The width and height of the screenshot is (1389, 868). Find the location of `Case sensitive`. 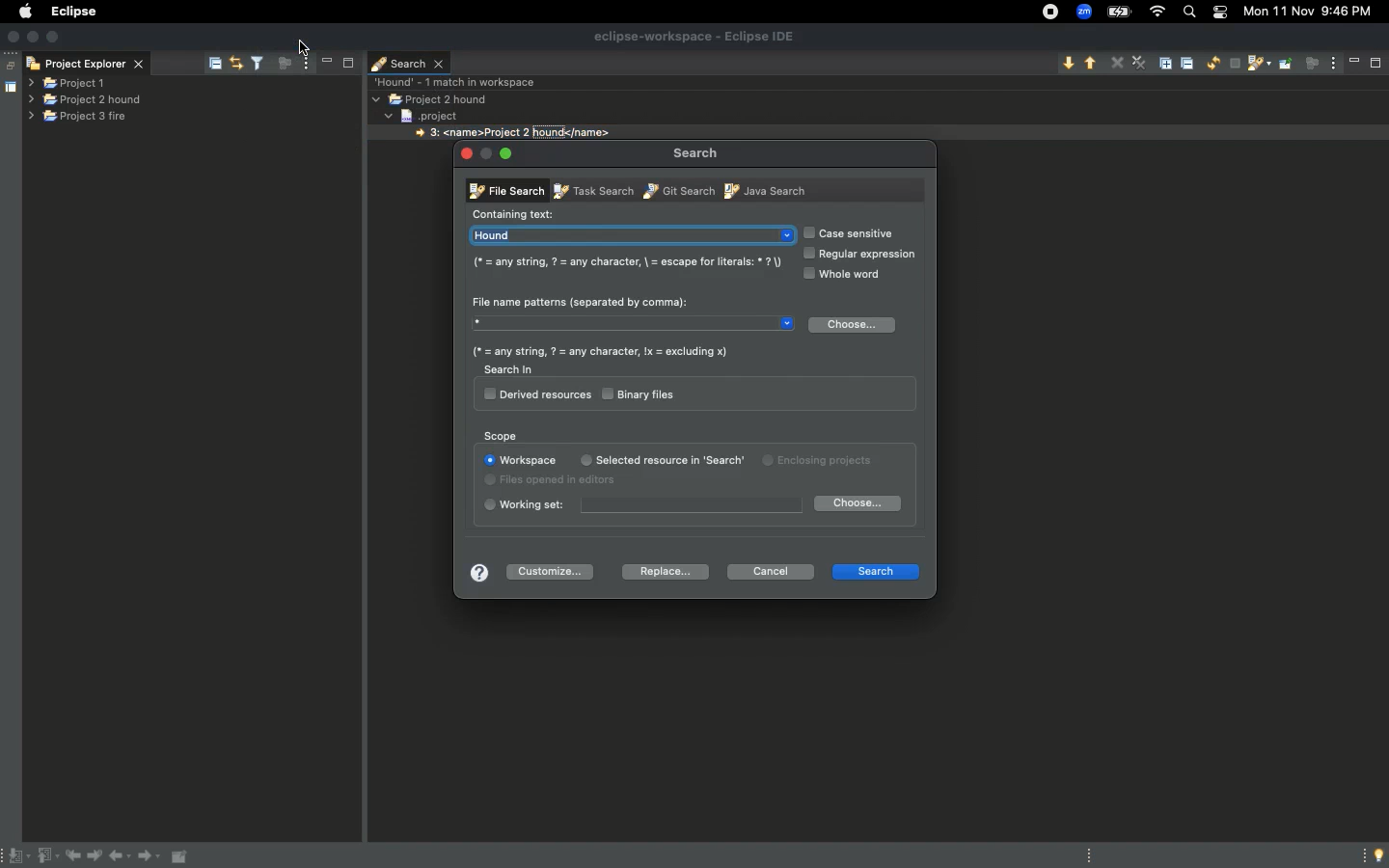

Case sensitive is located at coordinates (854, 233).